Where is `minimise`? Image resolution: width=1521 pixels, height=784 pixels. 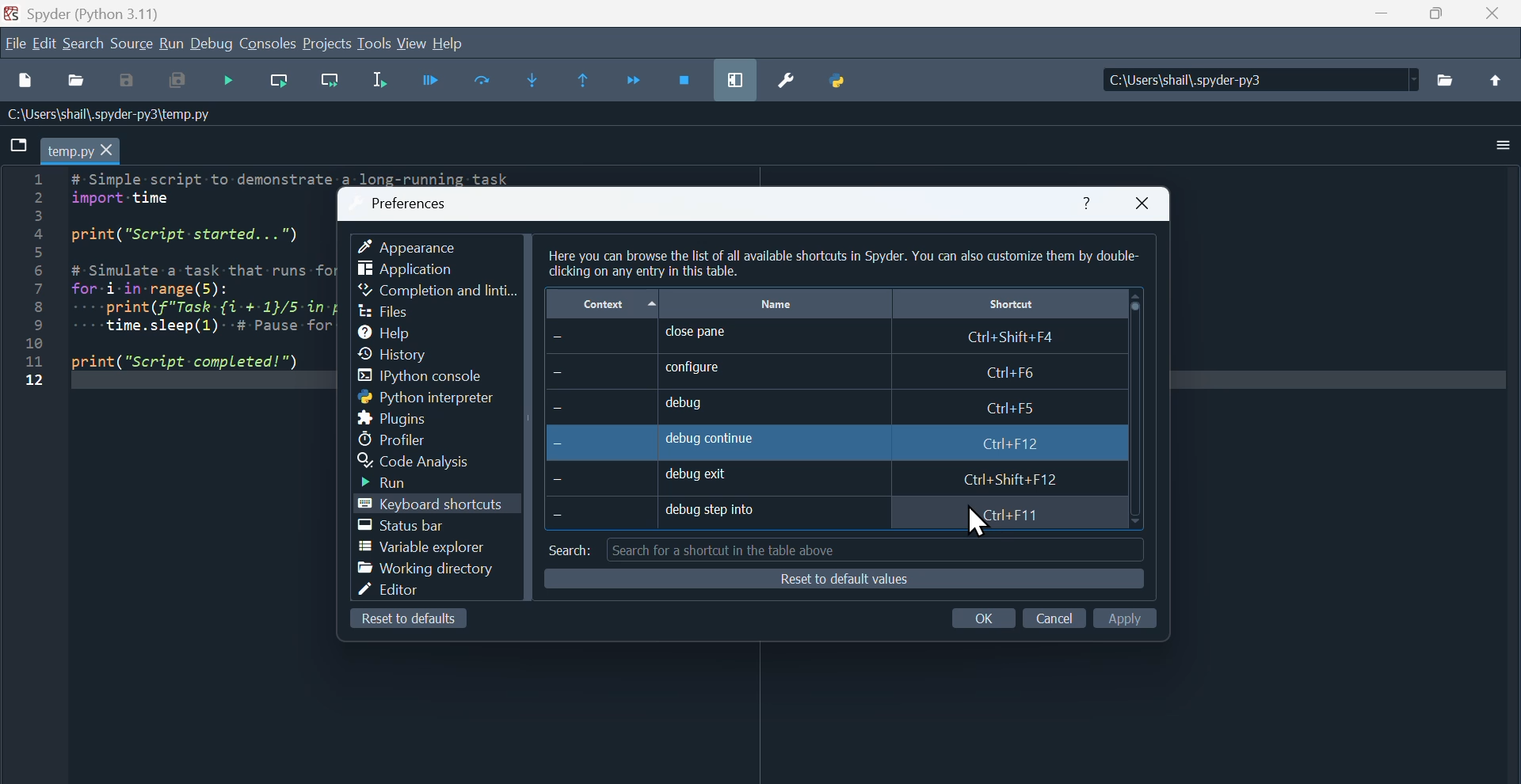
minimise is located at coordinates (1379, 17).